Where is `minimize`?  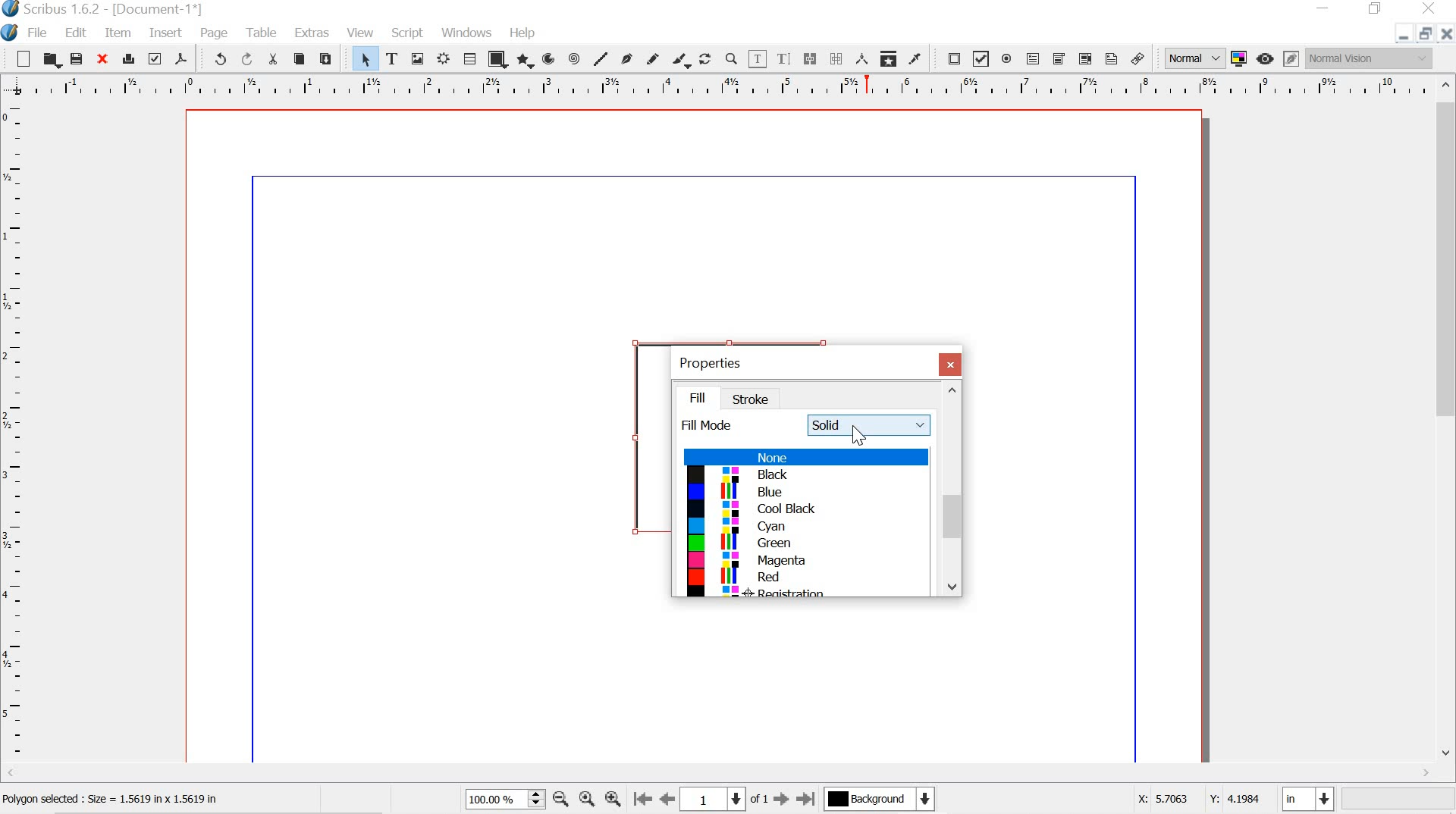
minimize is located at coordinates (1401, 36).